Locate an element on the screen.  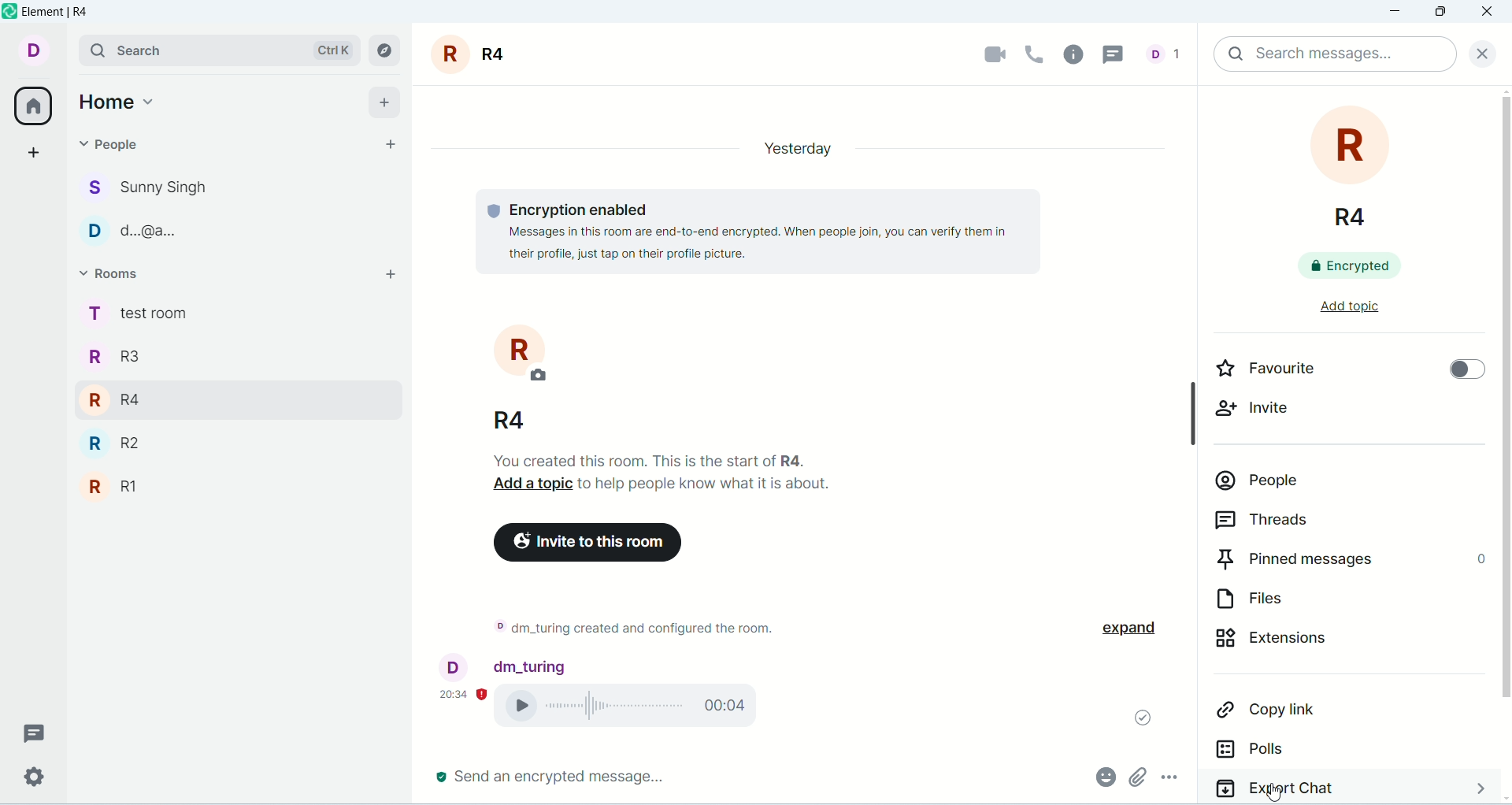
close is located at coordinates (1489, 13).